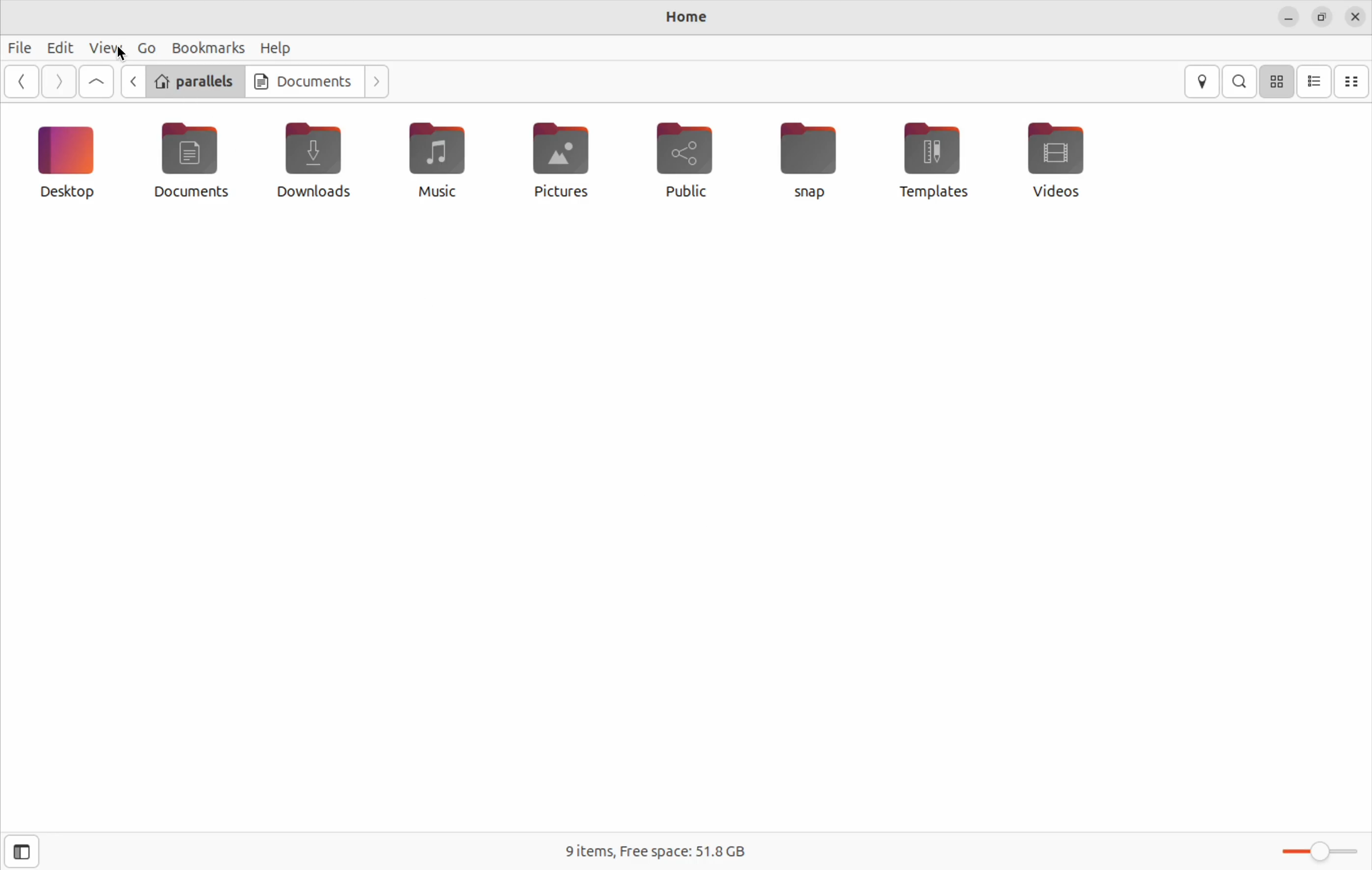 The width and height of the screenshot is (1372, 870). What do you see at coordinates (317, 162) in the screenshot?
I see `Downloads` at bounding box center [317, 162].